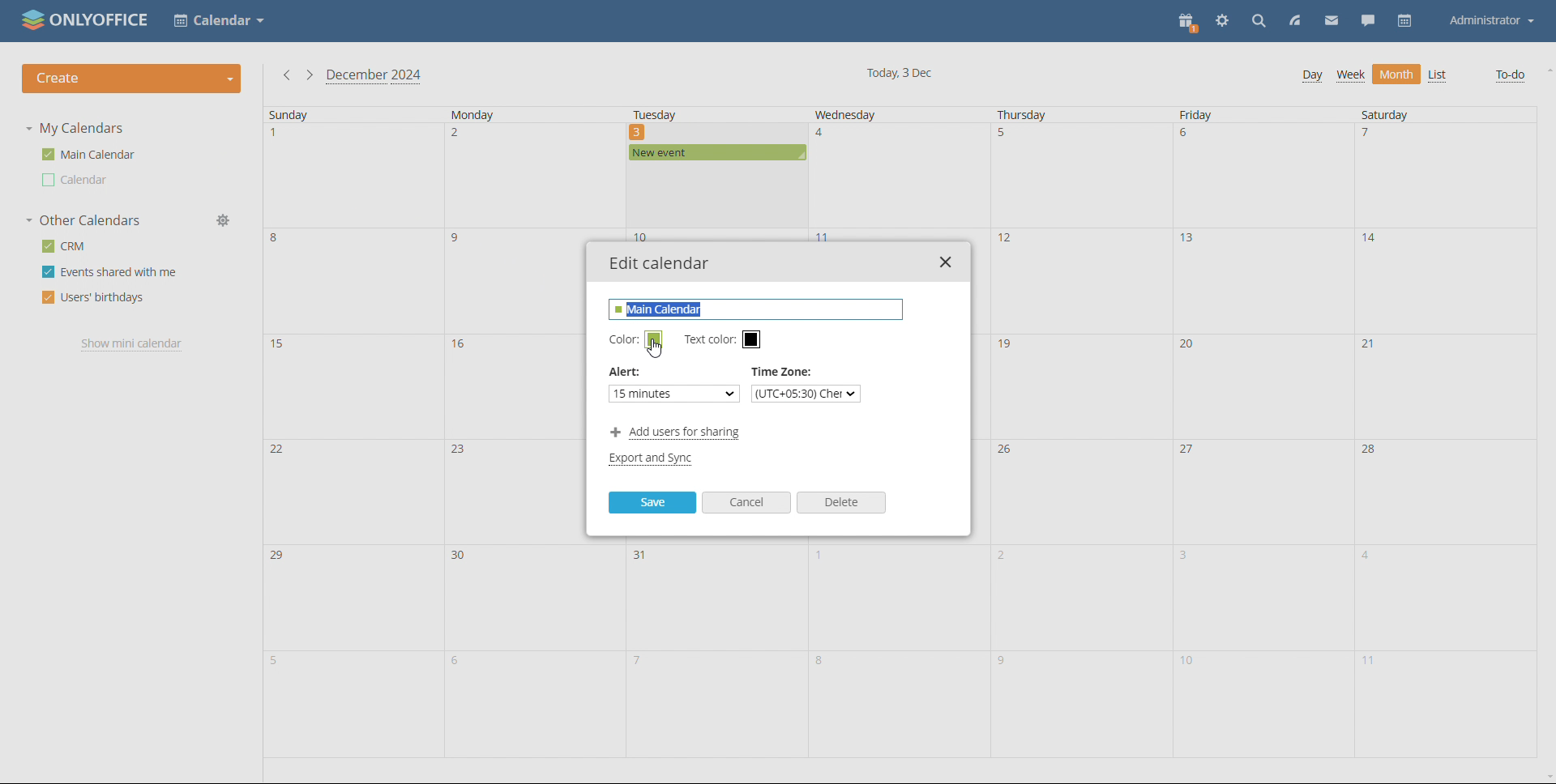  Describe the element at coordinates (806, 394) in the screenshot. I see `set time zone` at that location.